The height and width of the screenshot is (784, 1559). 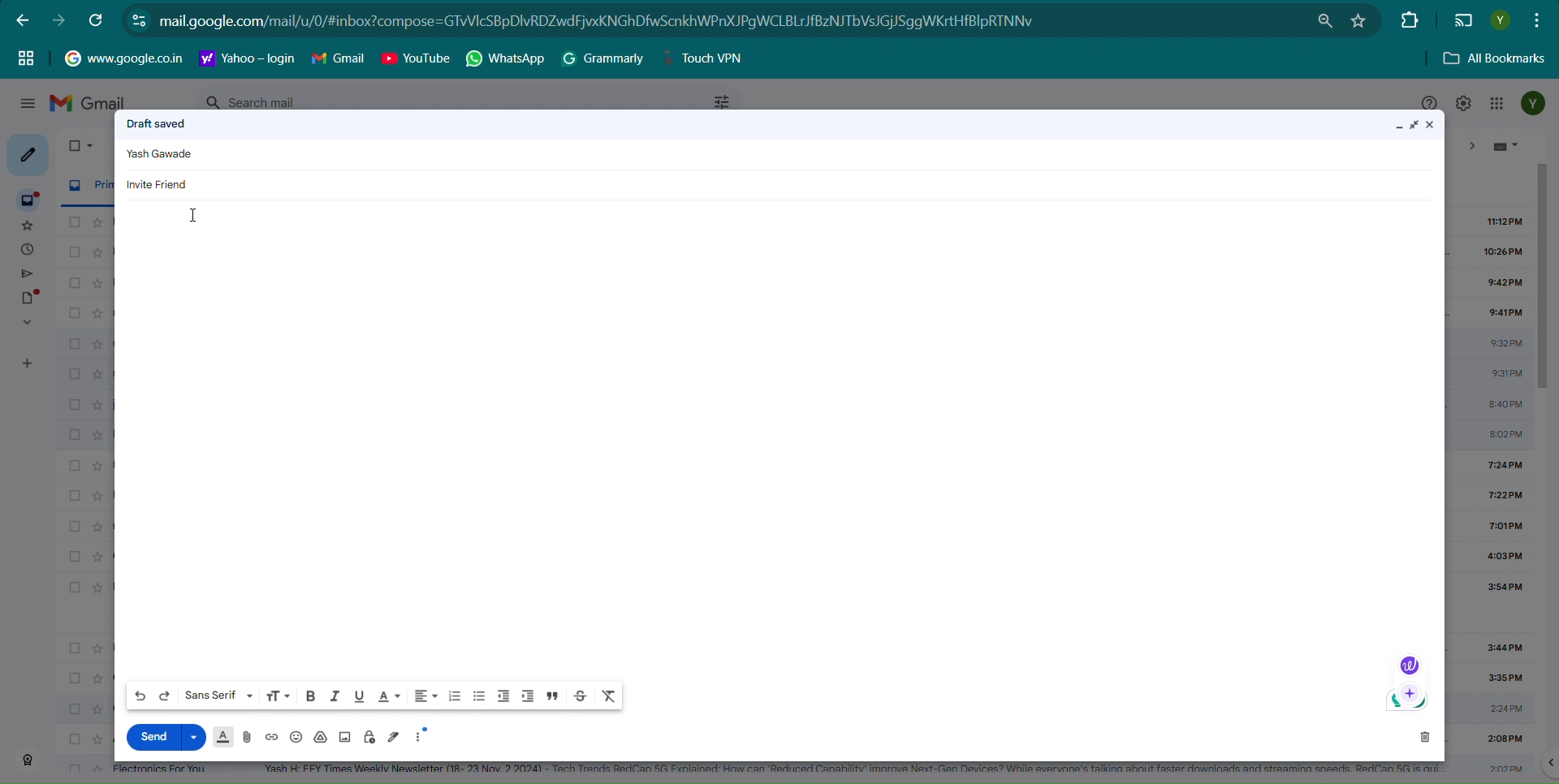 What do you see at coordinates (248, 737) in the screenshot?
I see `Attached files` at bounding box center [248, 737].